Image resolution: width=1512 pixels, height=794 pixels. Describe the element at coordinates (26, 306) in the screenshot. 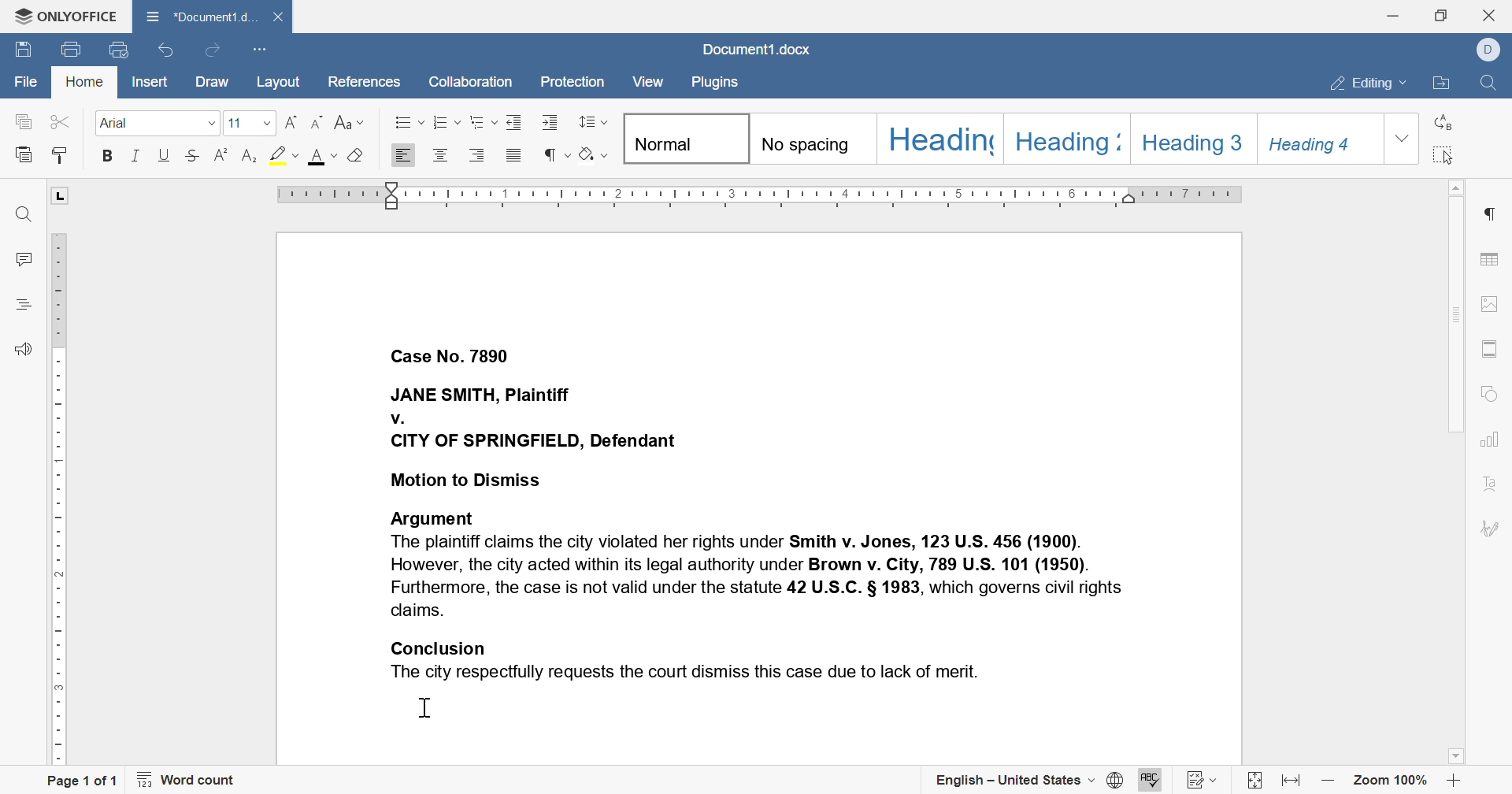

I see `headings` at that location.